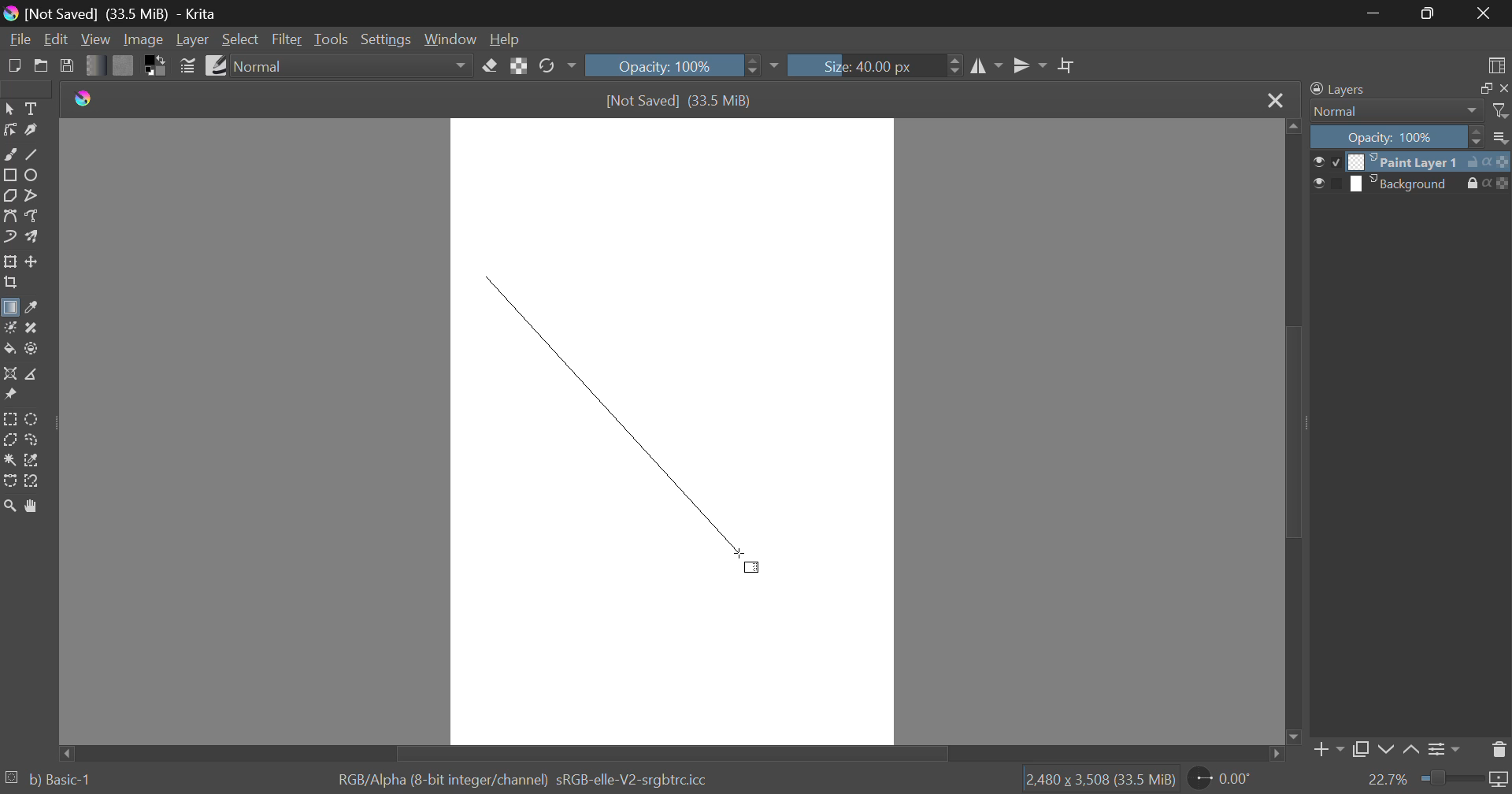 The height and width of the screenshot is (794, 1512). What do you see at coordinates (11, 420) in the screenshot?
I see `Rectangular Selection` at bounding box center [11, 420].